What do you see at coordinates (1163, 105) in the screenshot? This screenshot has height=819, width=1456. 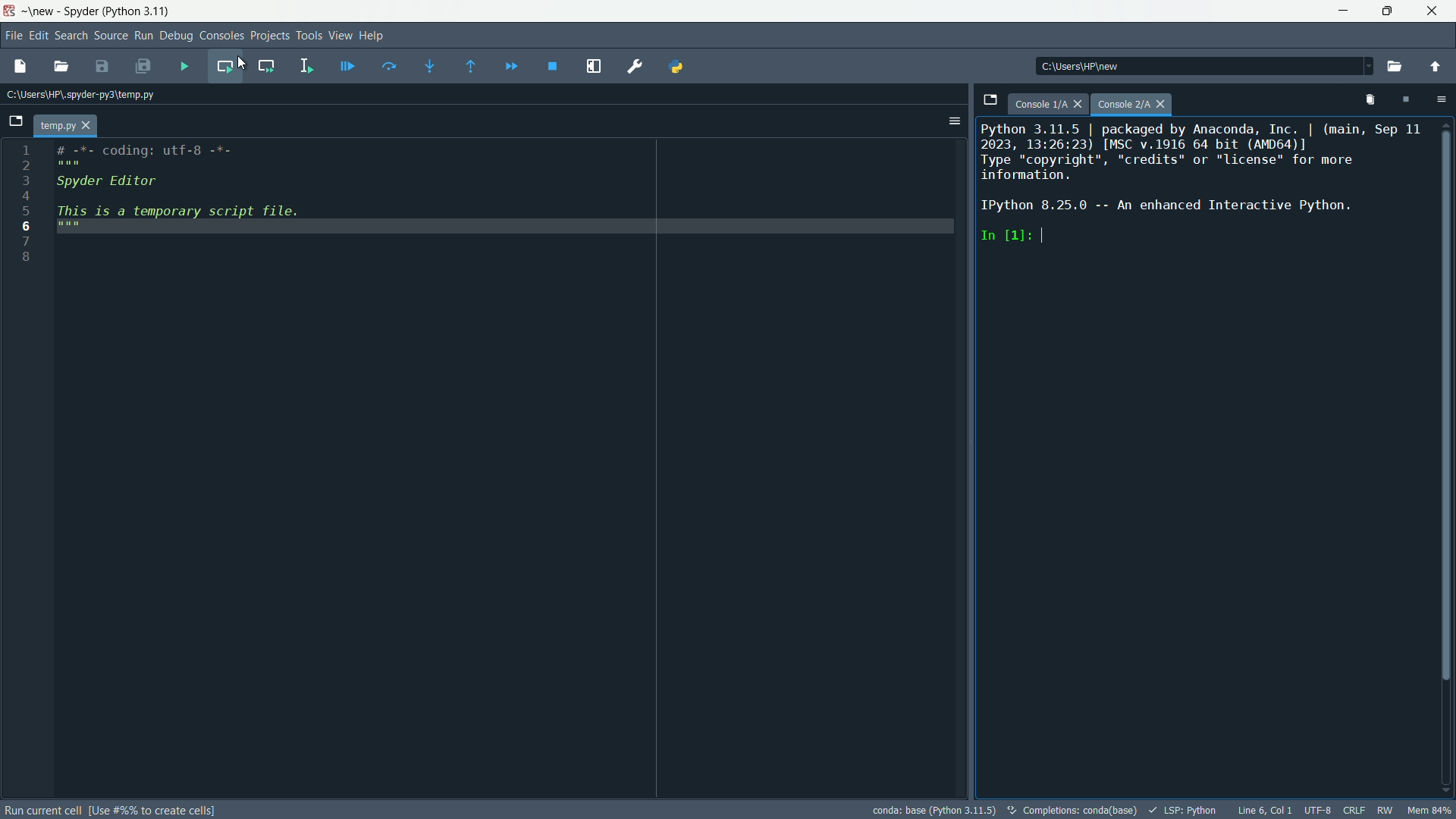 I see `close` at bounding box center [1163, 105].